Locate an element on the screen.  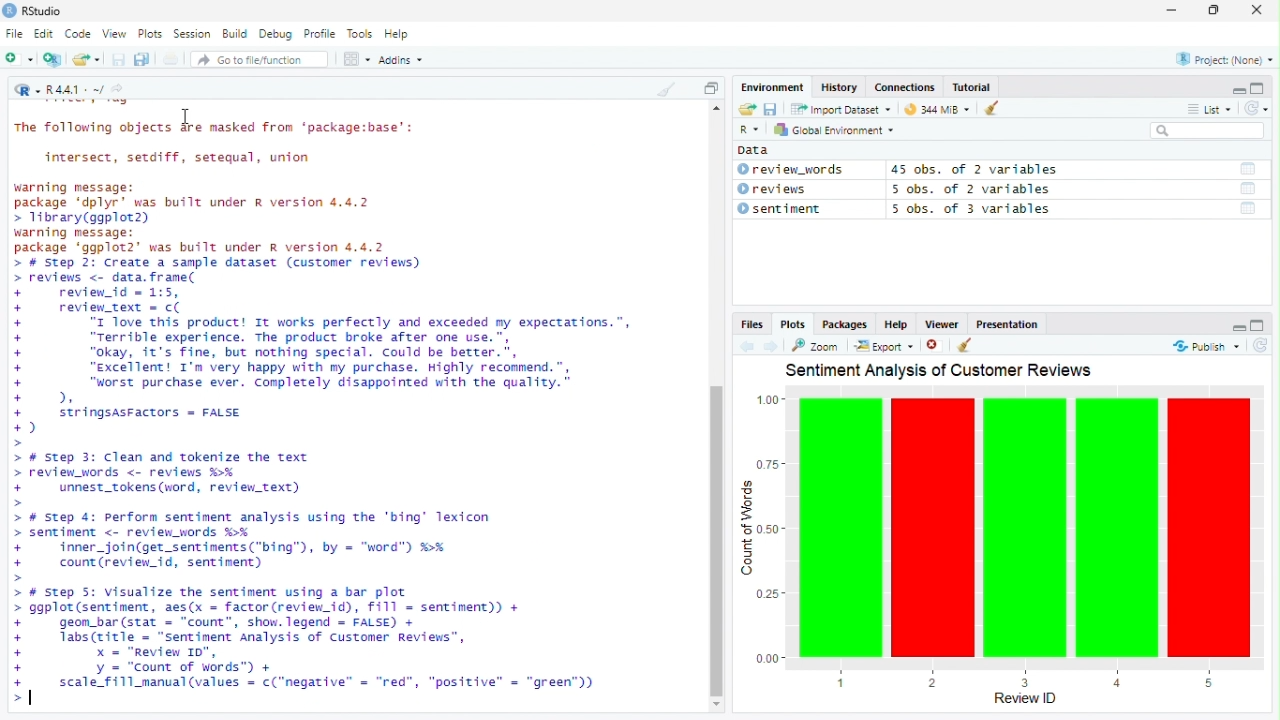
Search is located at coordinates (1208, 130).